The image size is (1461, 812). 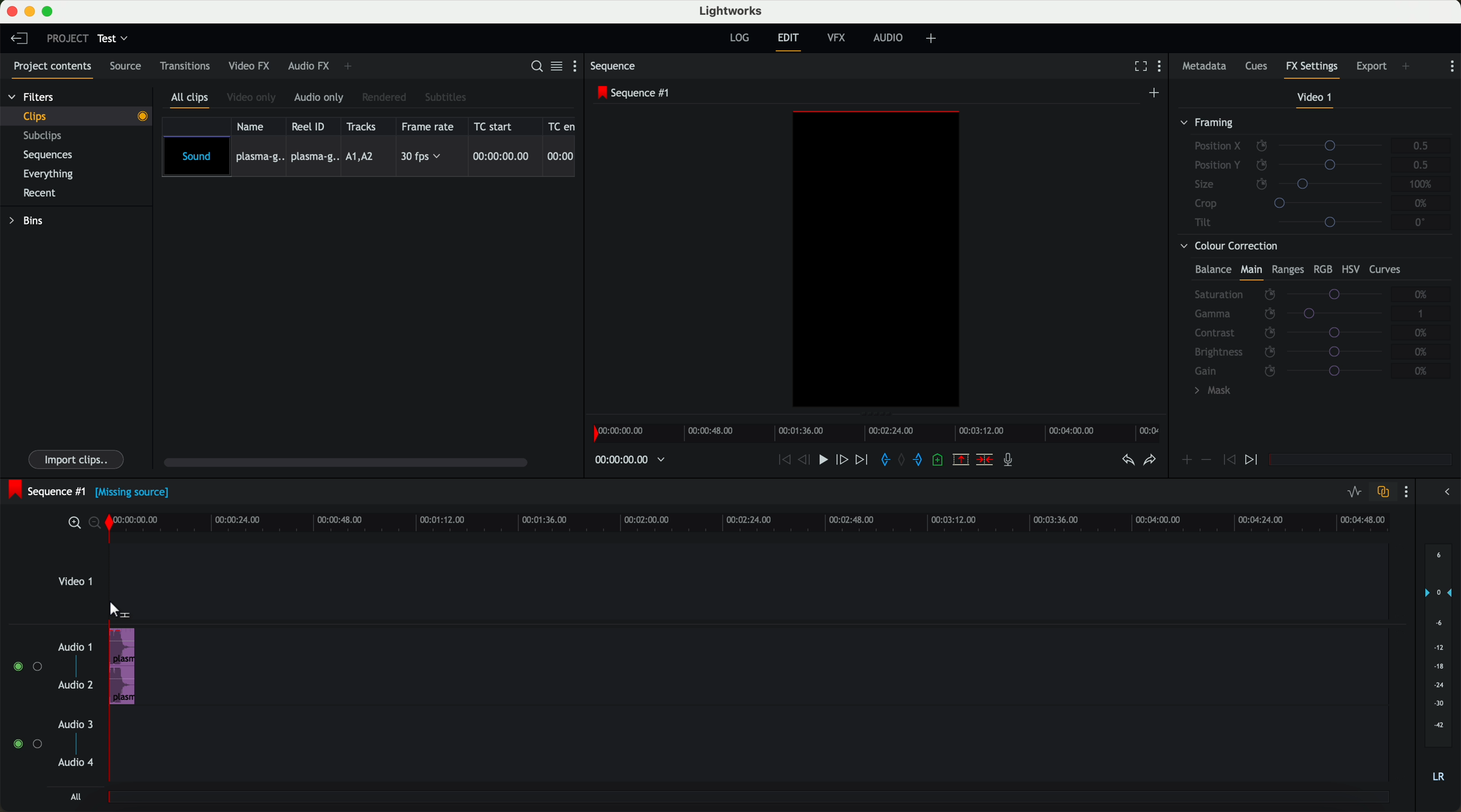 I want to click on audio, so click(x=891, y=39).